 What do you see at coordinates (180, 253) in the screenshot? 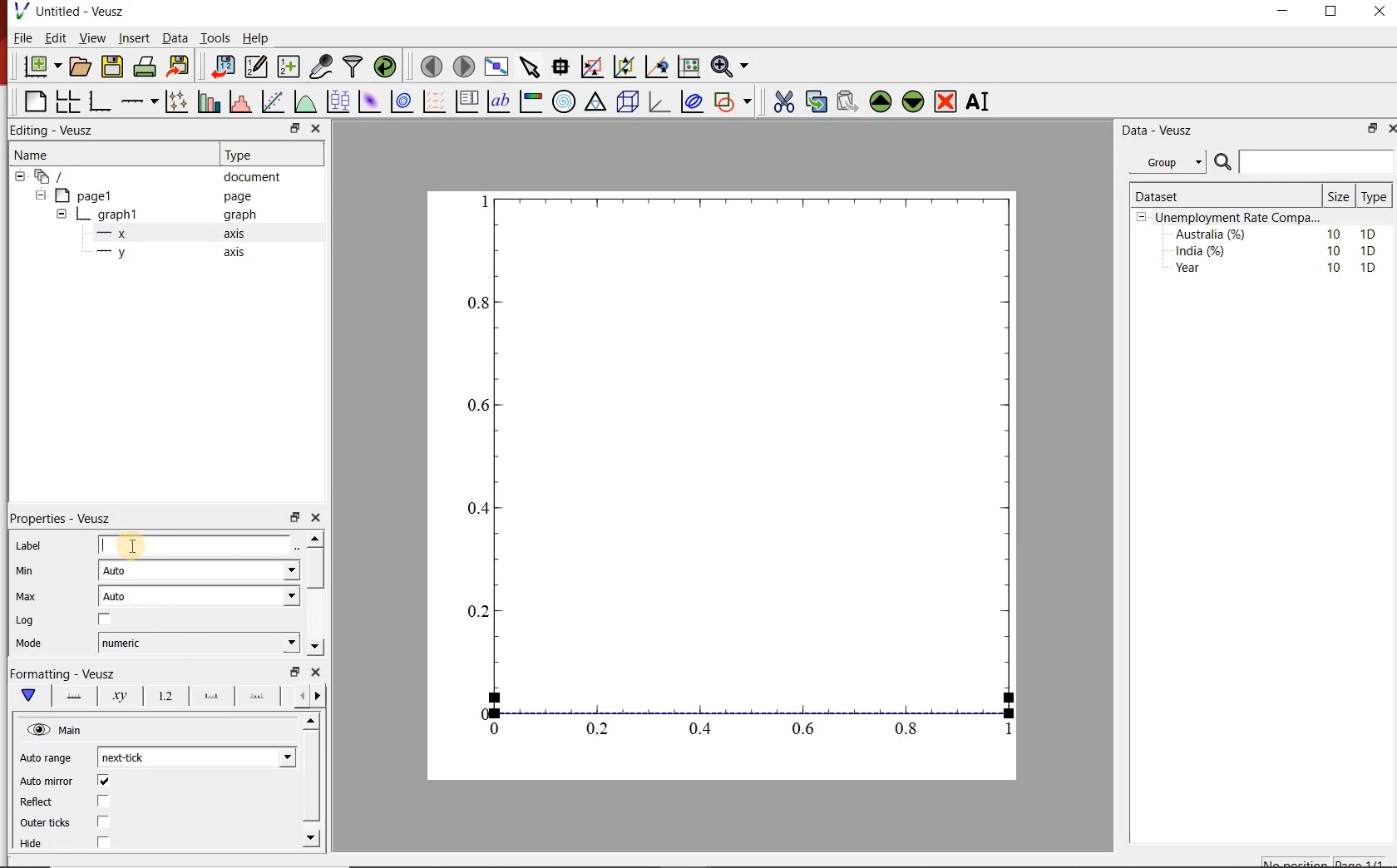
I see `y axis` at bounding box center [180, 253].